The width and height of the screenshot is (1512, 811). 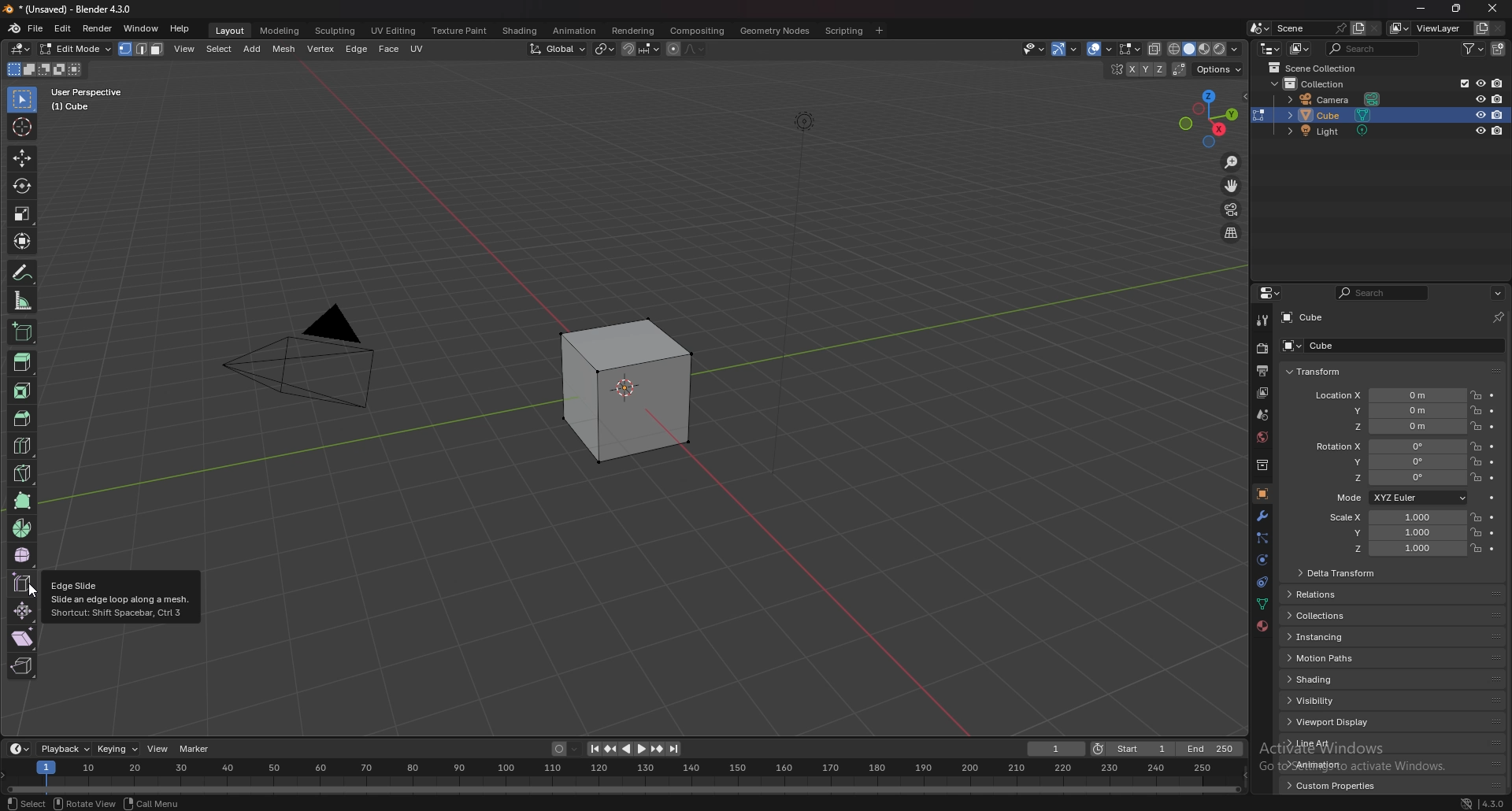 I want to click on spin, so click(x=22, y=529).